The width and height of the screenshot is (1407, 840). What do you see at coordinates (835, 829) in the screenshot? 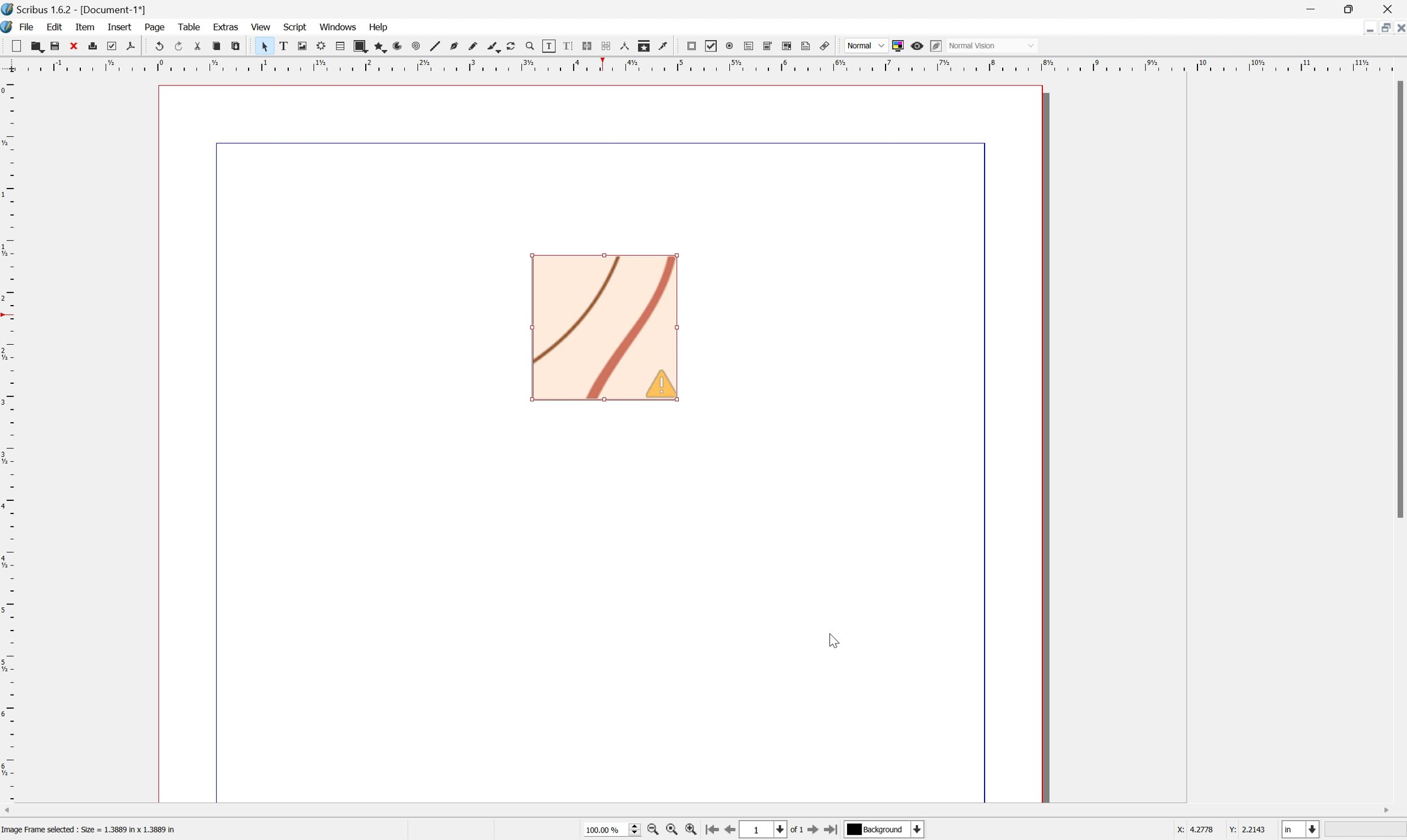
I see `Last Page` at bounding box center [835, 829].